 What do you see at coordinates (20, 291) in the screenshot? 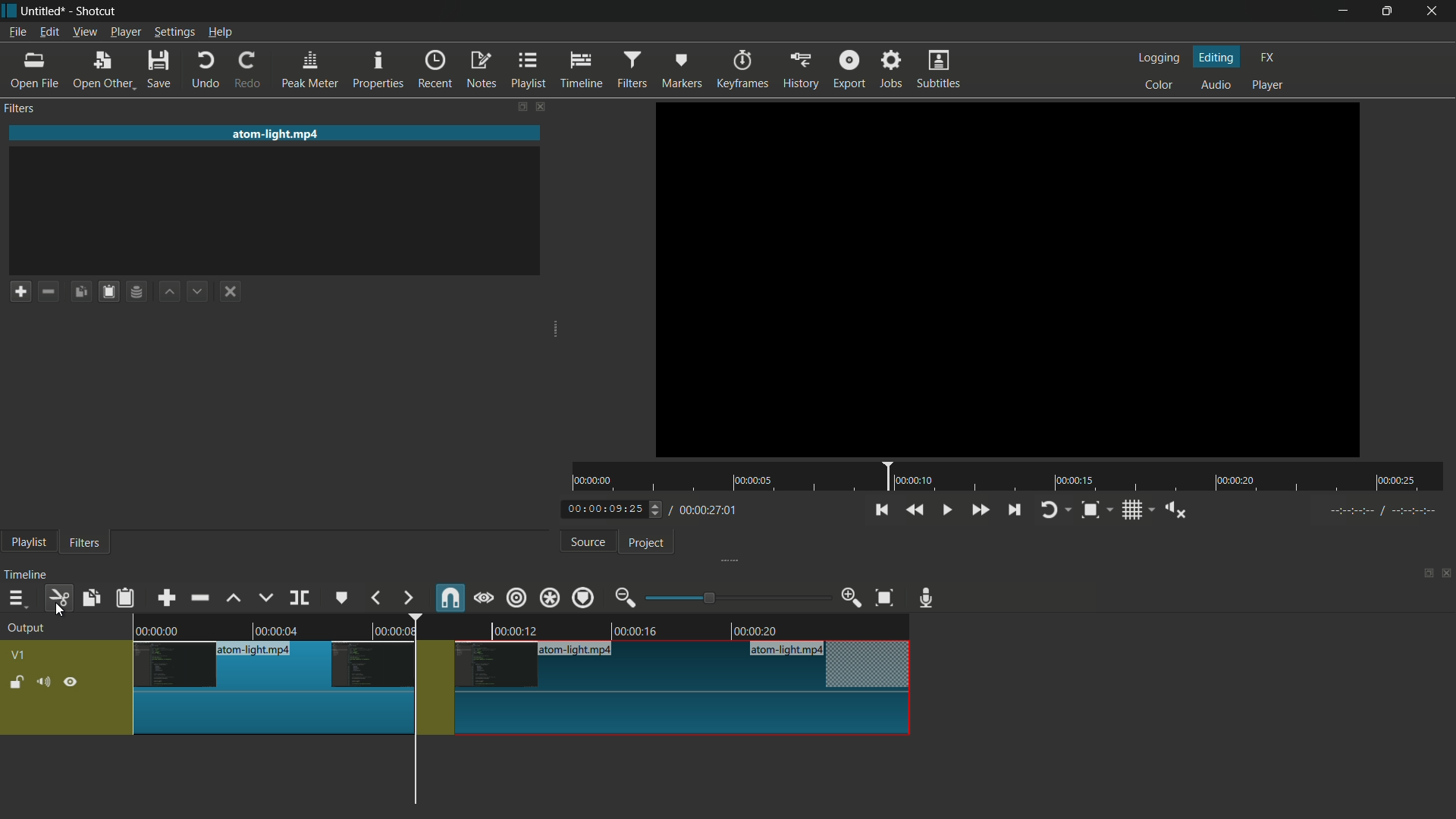
I see `add a filter` at bounding box center [20, 291].